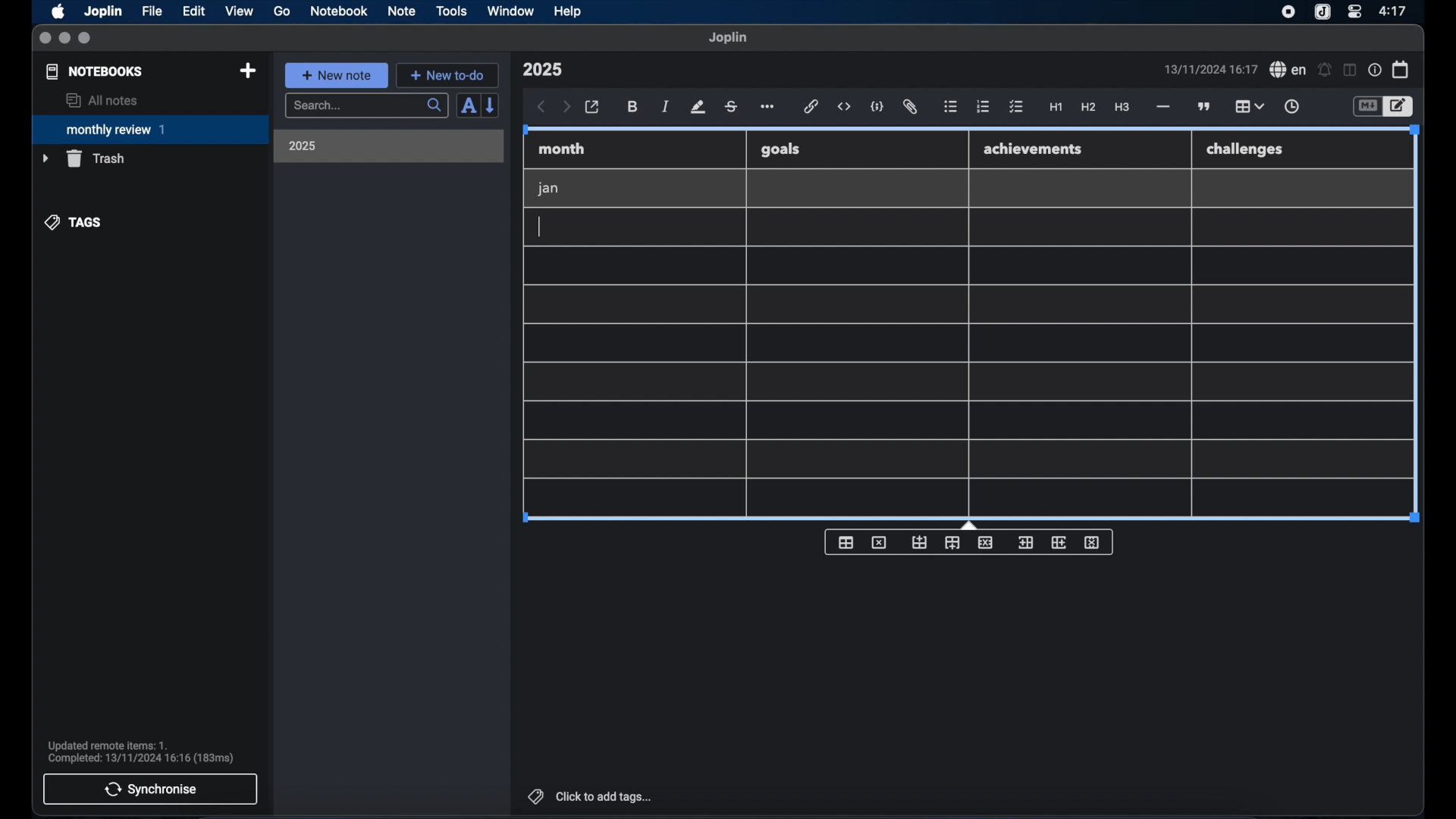 The width and height of the screenshot is (1456, 819). I want to click on insert table, so click(846, 542).